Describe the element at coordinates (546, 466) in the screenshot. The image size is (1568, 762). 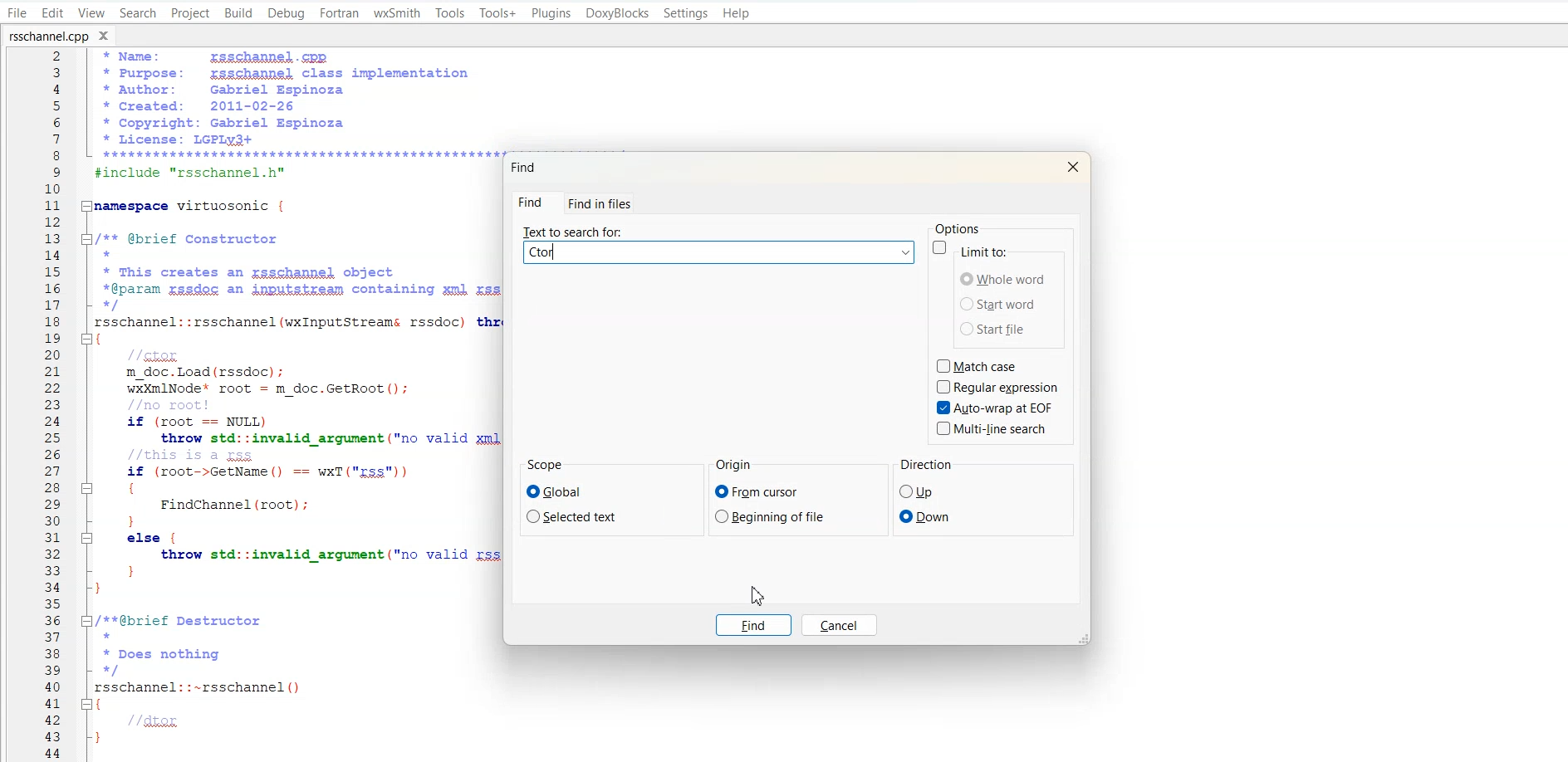
I see `Scope` at that location.